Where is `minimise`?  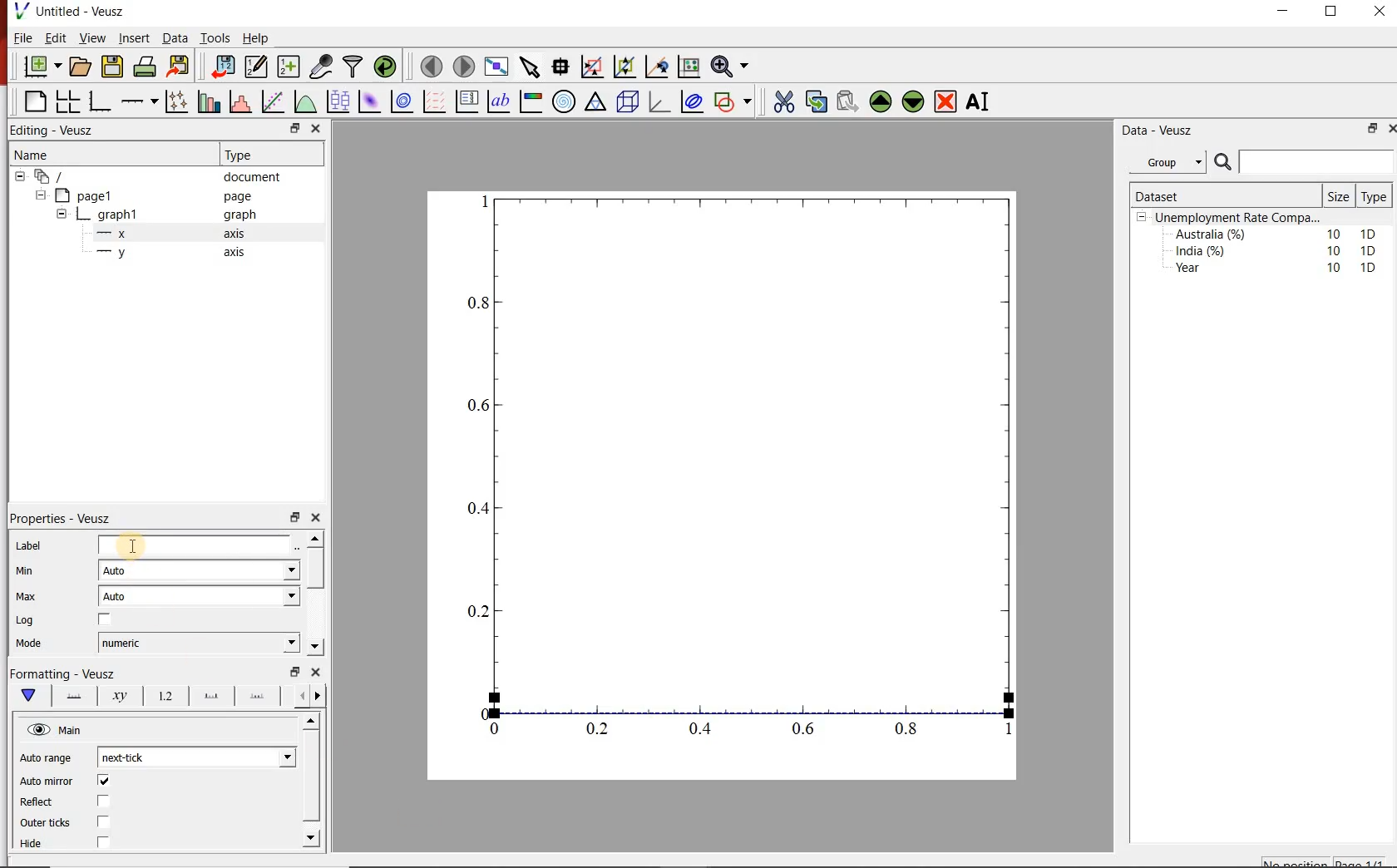
minimise is located at coordinates (294, 516).